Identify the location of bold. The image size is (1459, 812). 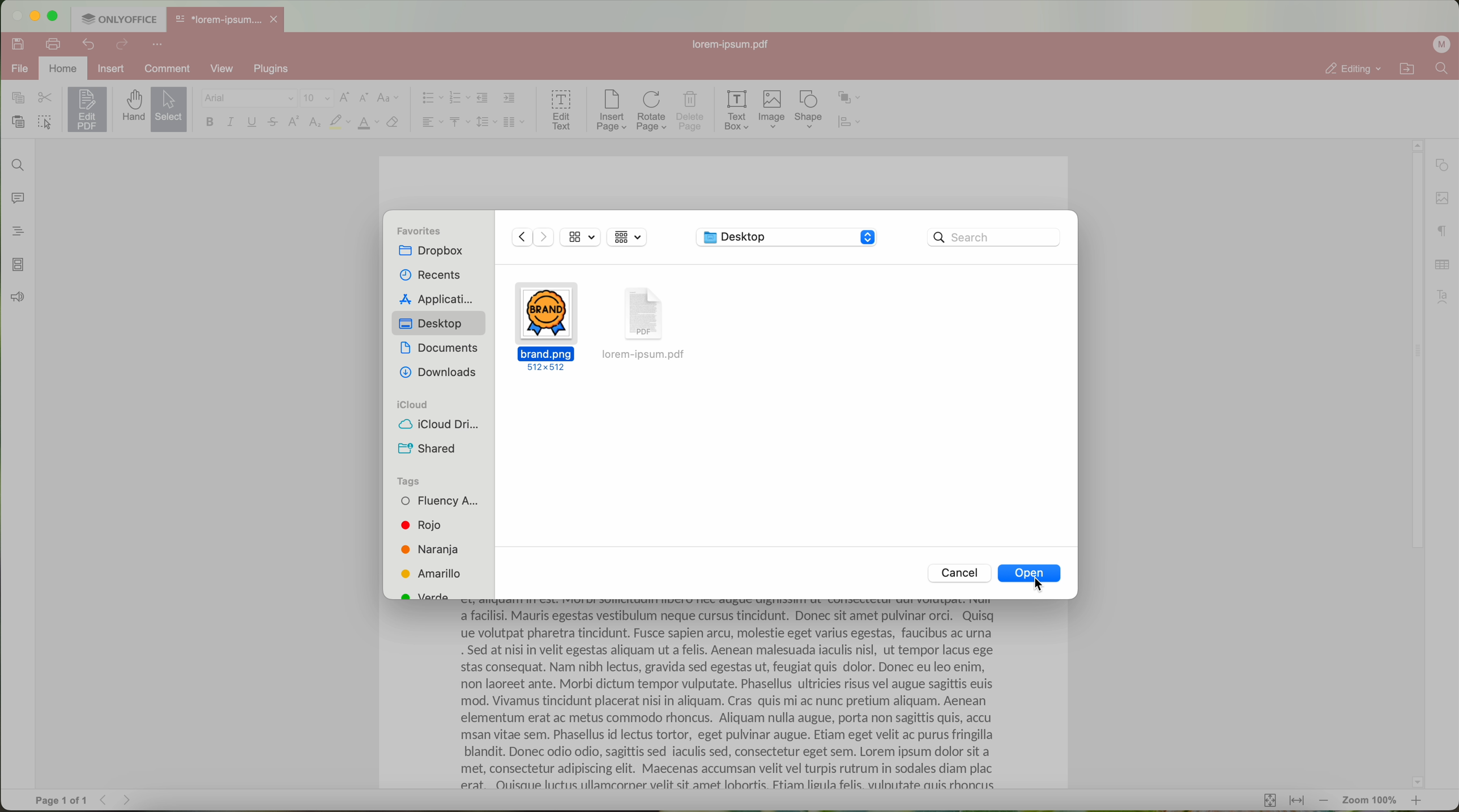
(210, 122).